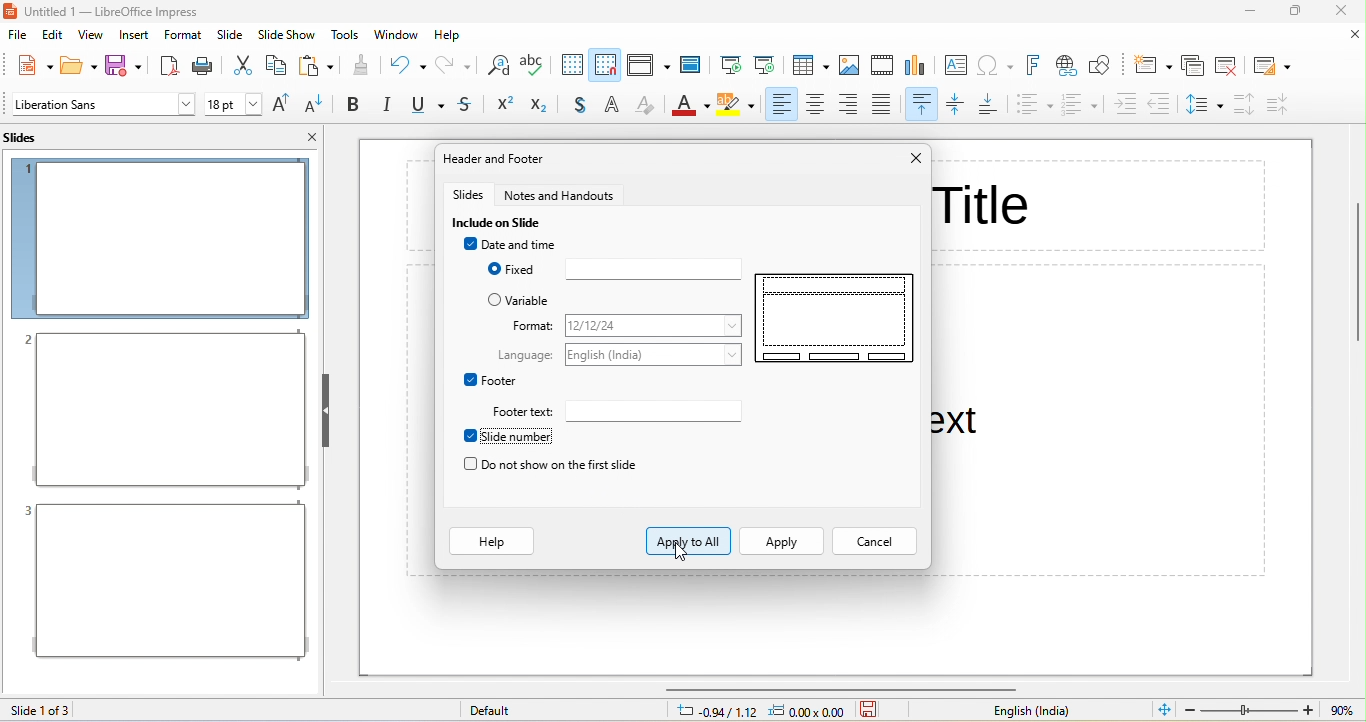 The height and width of the screenshot is (722, 1366). Describe the element at coordinates (545, 106) in the screenshot. I see `subscript` at that location.